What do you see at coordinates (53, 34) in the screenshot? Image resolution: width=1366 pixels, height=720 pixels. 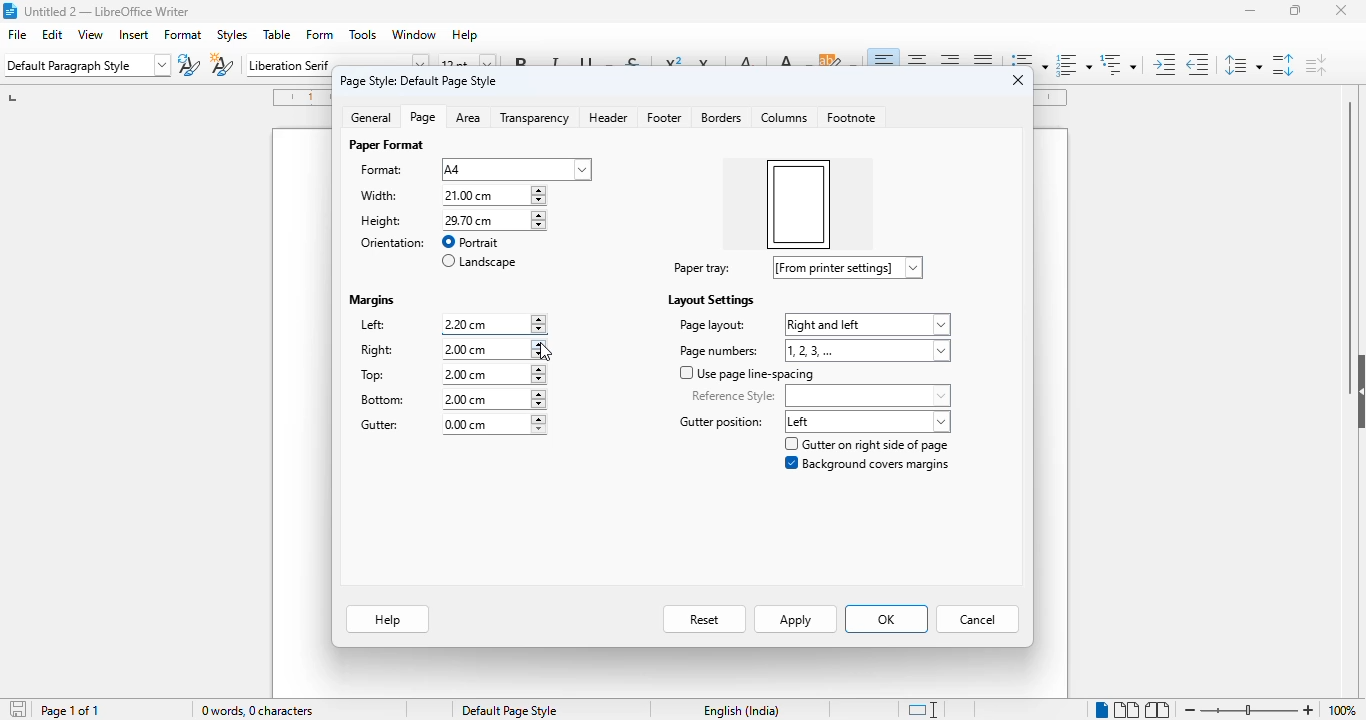 I see `edit` at bounding box center [53, 34].